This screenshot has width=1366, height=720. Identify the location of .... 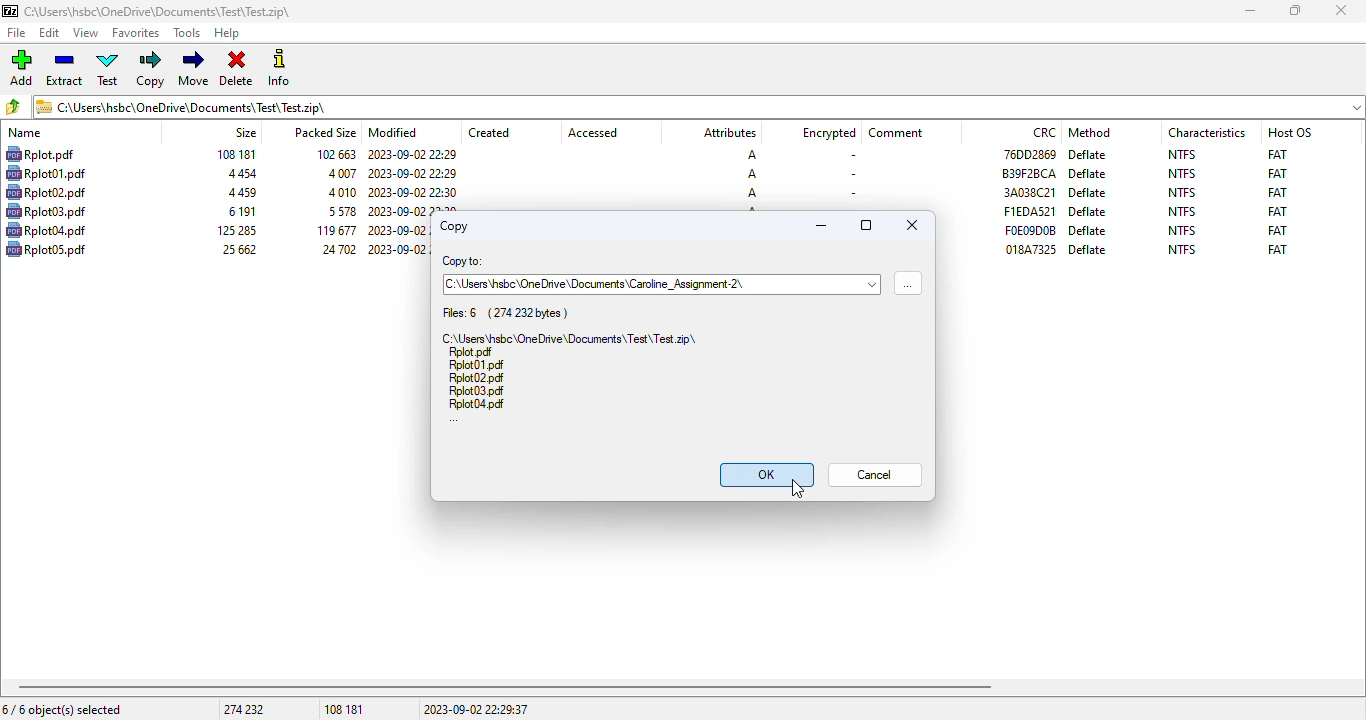
(454, 420).